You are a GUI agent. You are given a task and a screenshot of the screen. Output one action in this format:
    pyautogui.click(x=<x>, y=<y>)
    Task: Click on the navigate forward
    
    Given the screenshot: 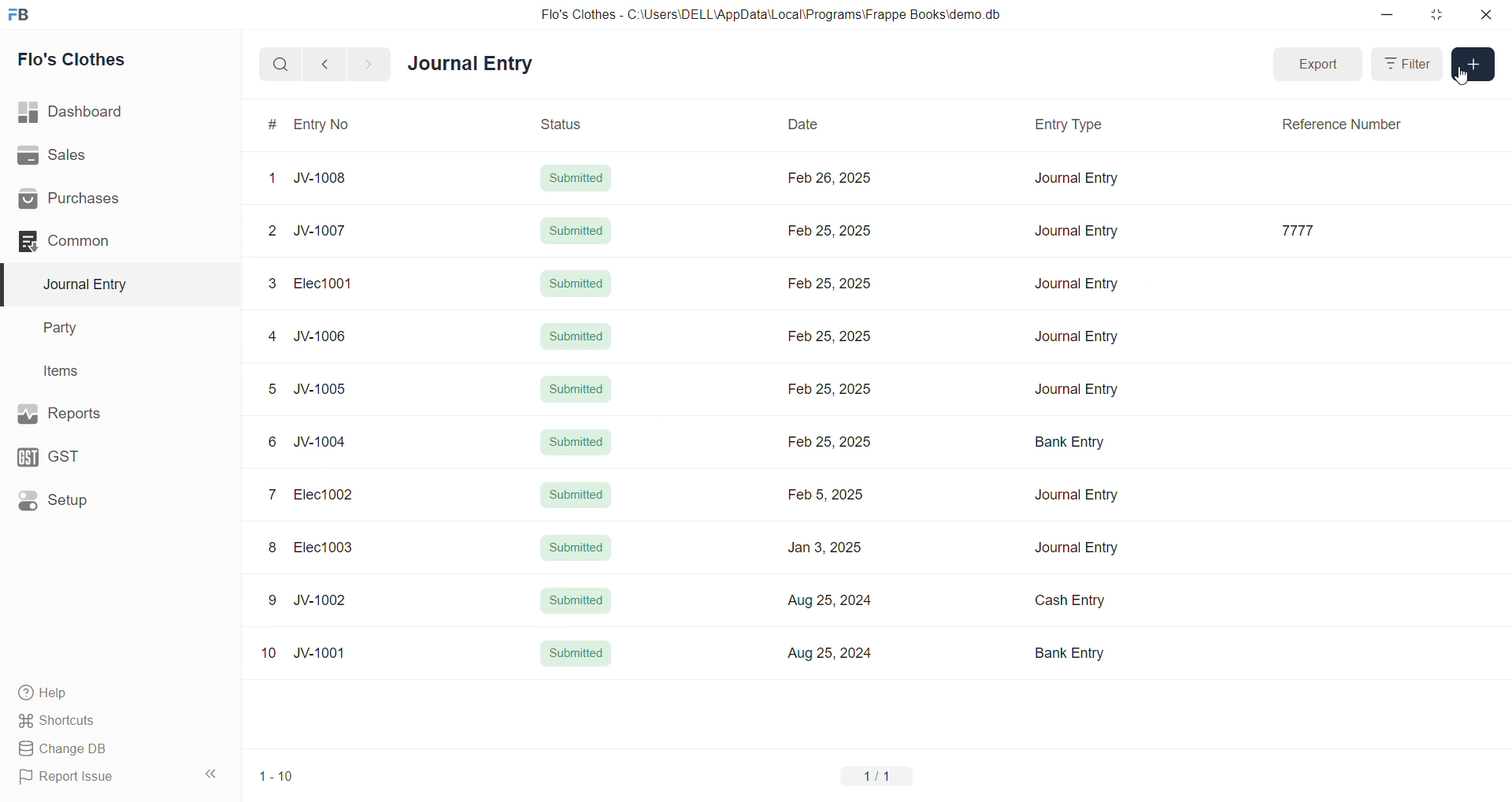 What is the action you would take?
    pyautogui.click(x=372, y=64)
    